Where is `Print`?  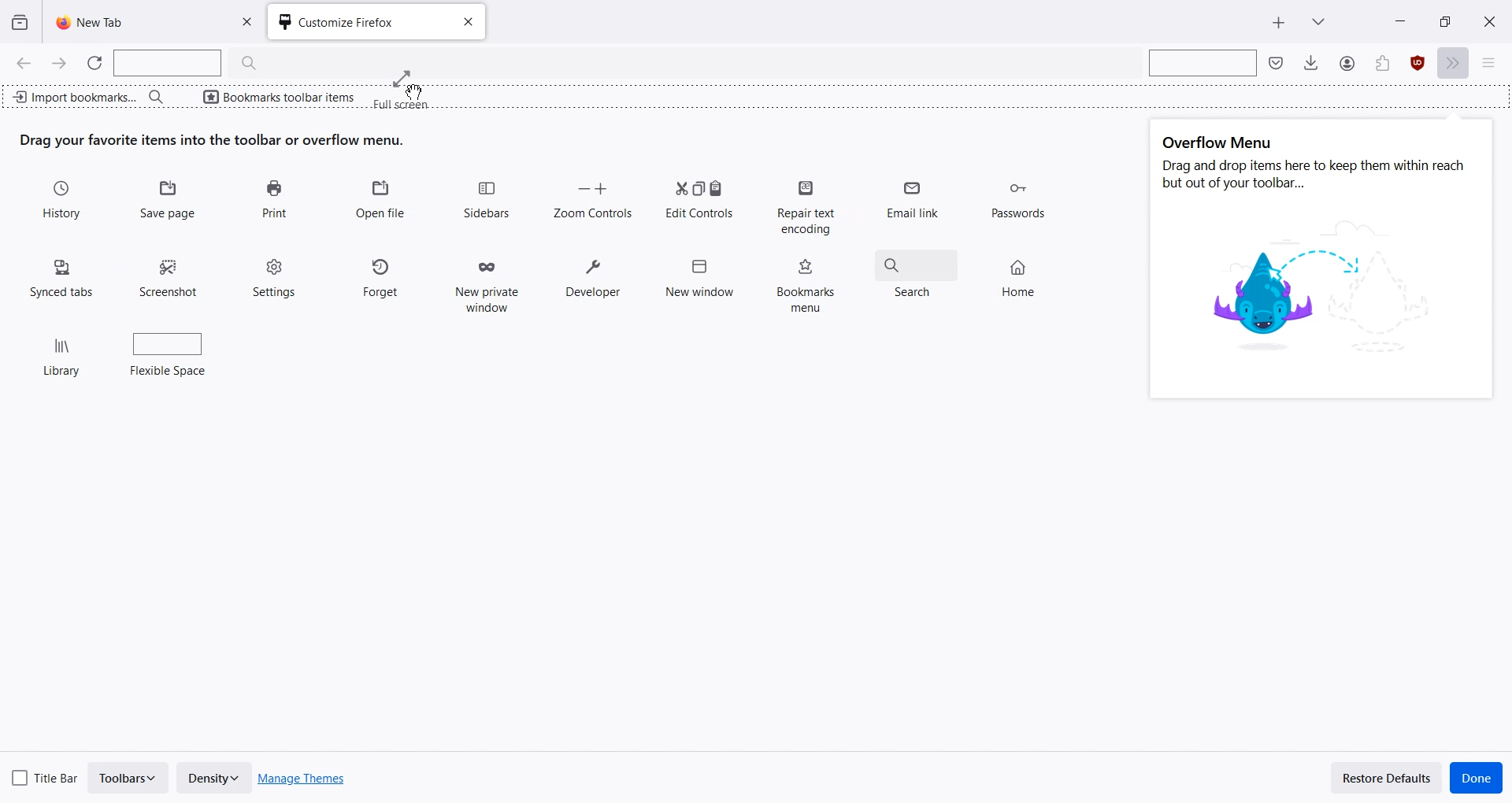
Print is located at coordinates (274, 200).